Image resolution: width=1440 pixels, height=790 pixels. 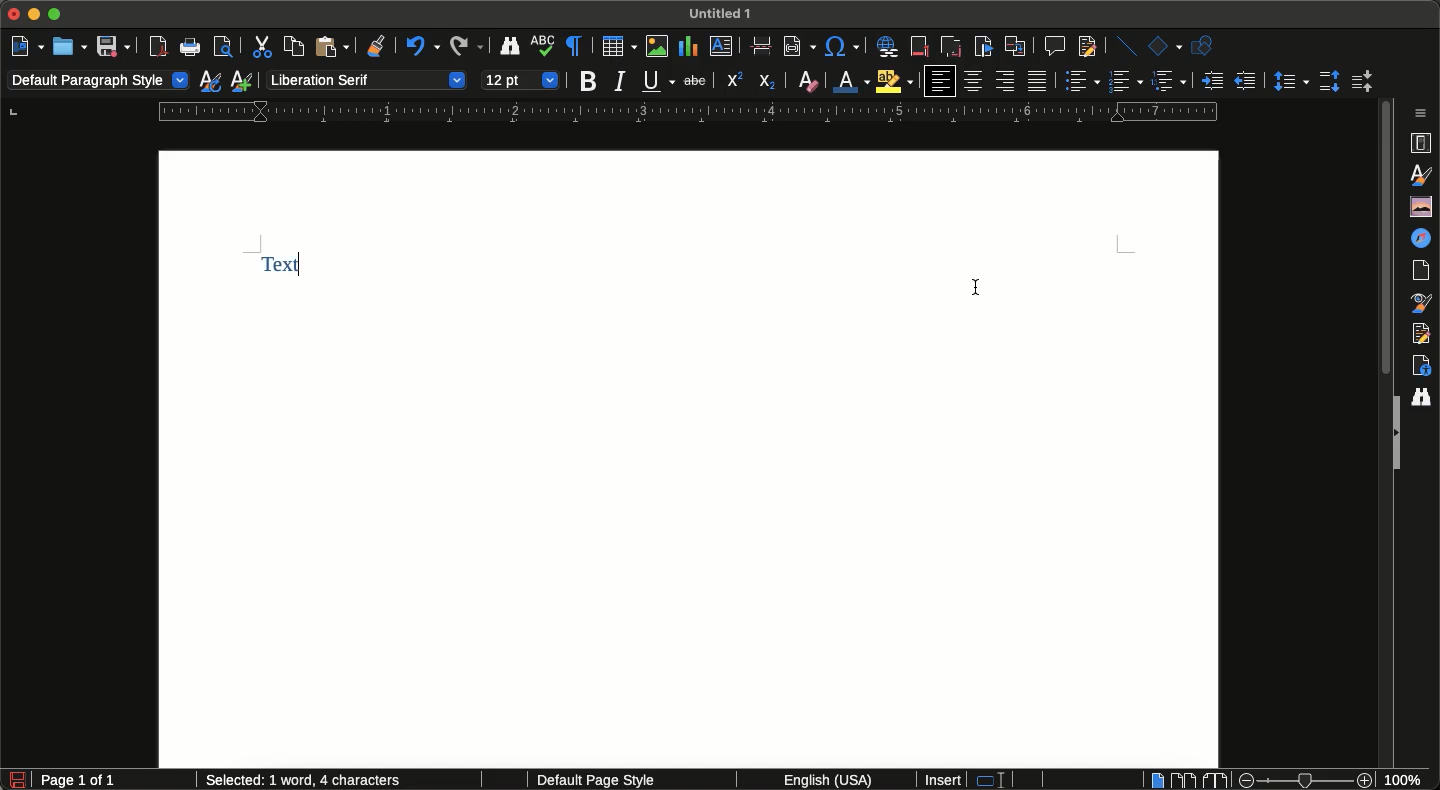 What do you see at coordinates (1360, 83) in the screenshot?
I see `Decrease paragraph spacing` at bounding box center [1360, 83].